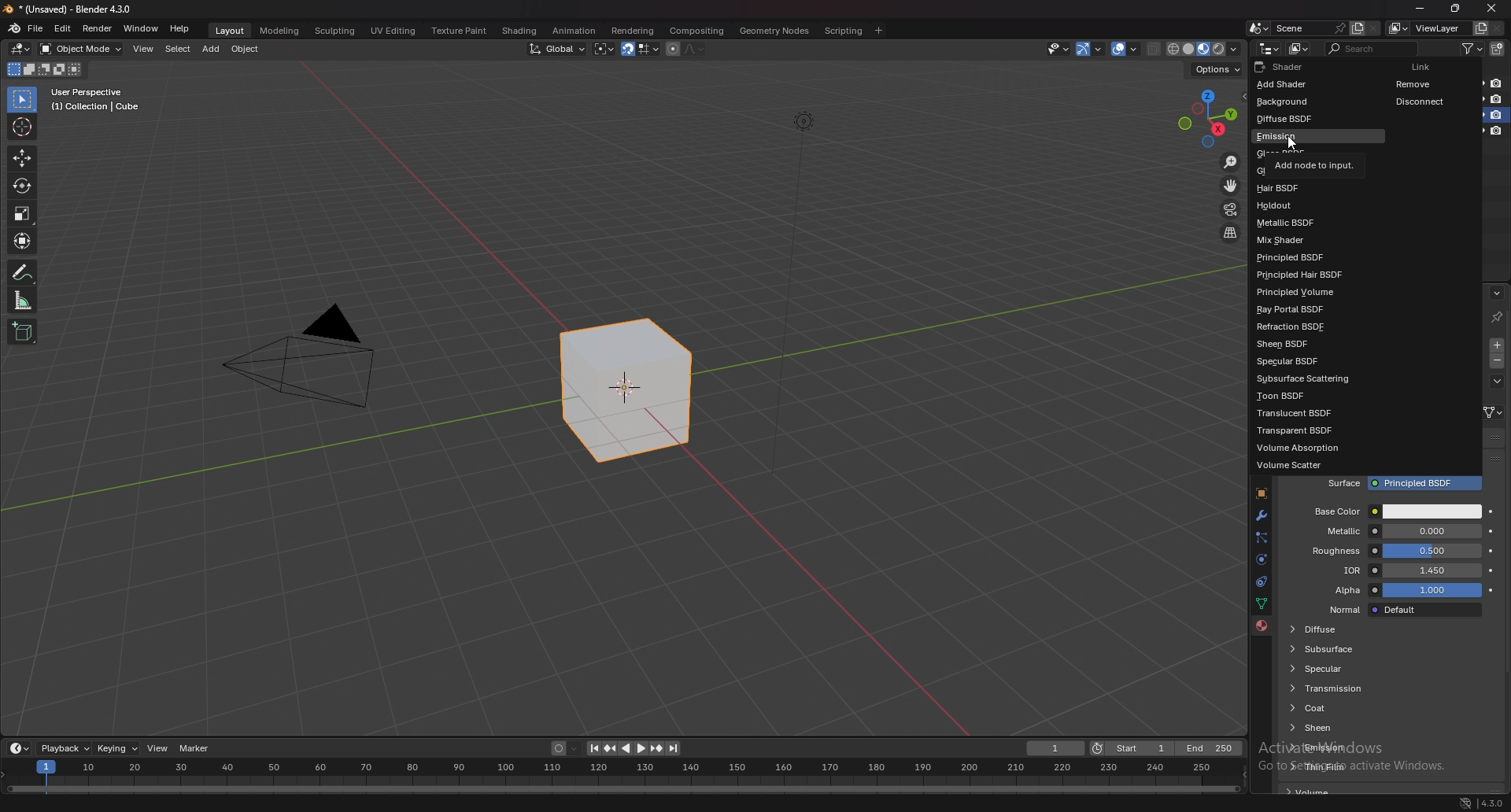  What do you see at coordinates (15, 28) in the screenshot?
I see `blender` at bounding box center [15, 28].